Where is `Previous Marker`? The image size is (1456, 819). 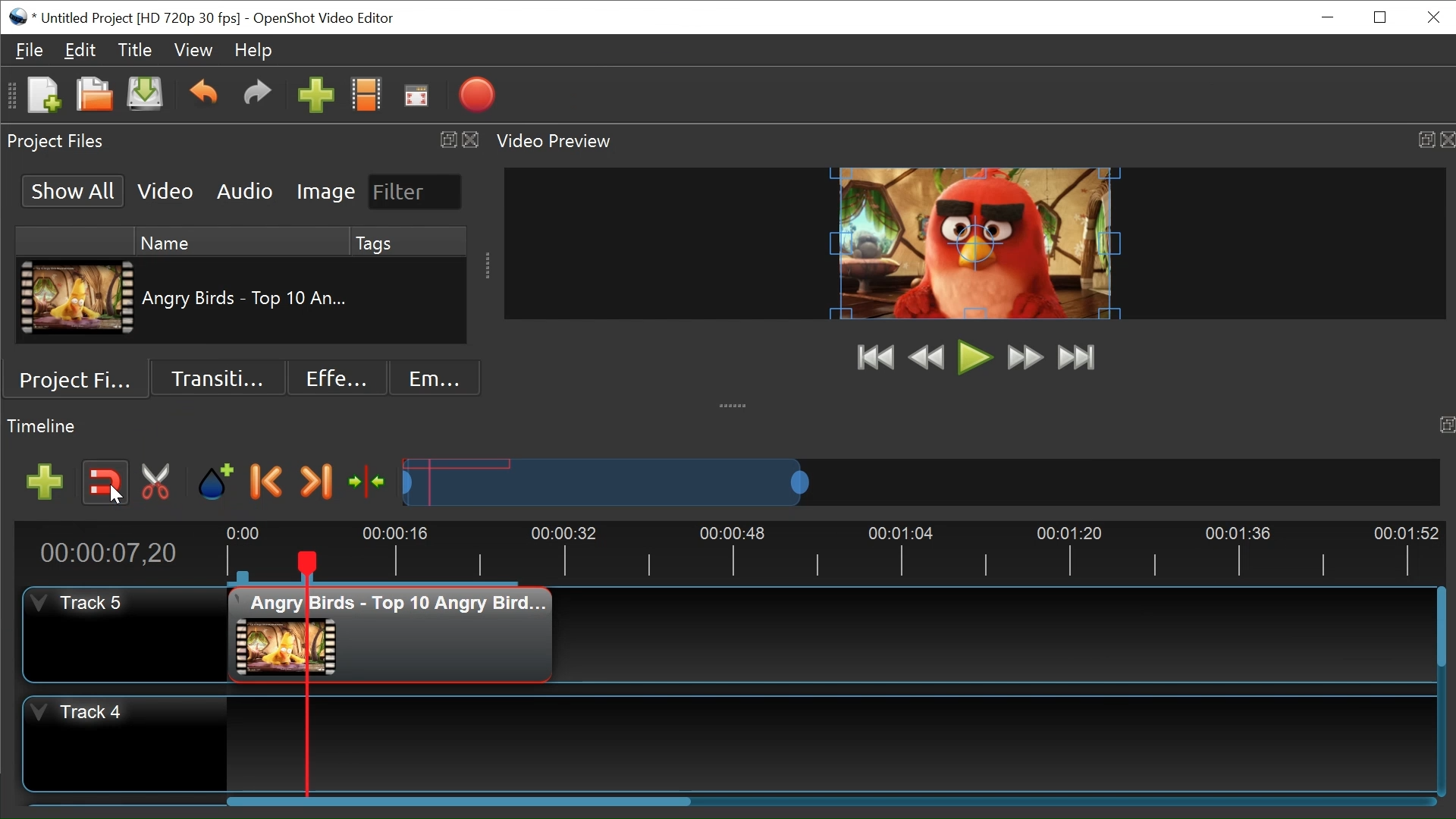
Previous Marker is located at coordinates (269, 483).